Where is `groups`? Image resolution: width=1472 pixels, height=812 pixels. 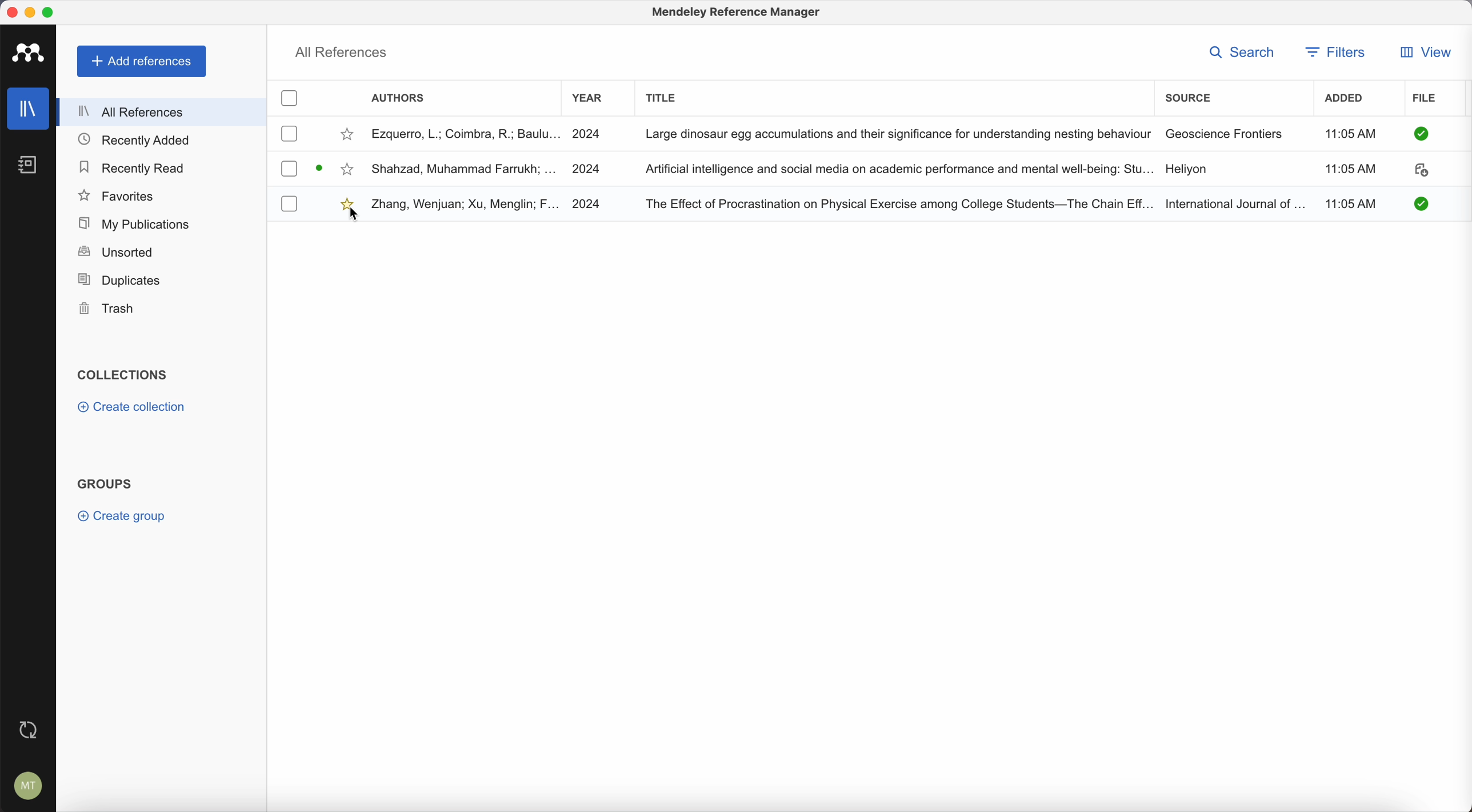 groups is located at coordinates (105, 482).